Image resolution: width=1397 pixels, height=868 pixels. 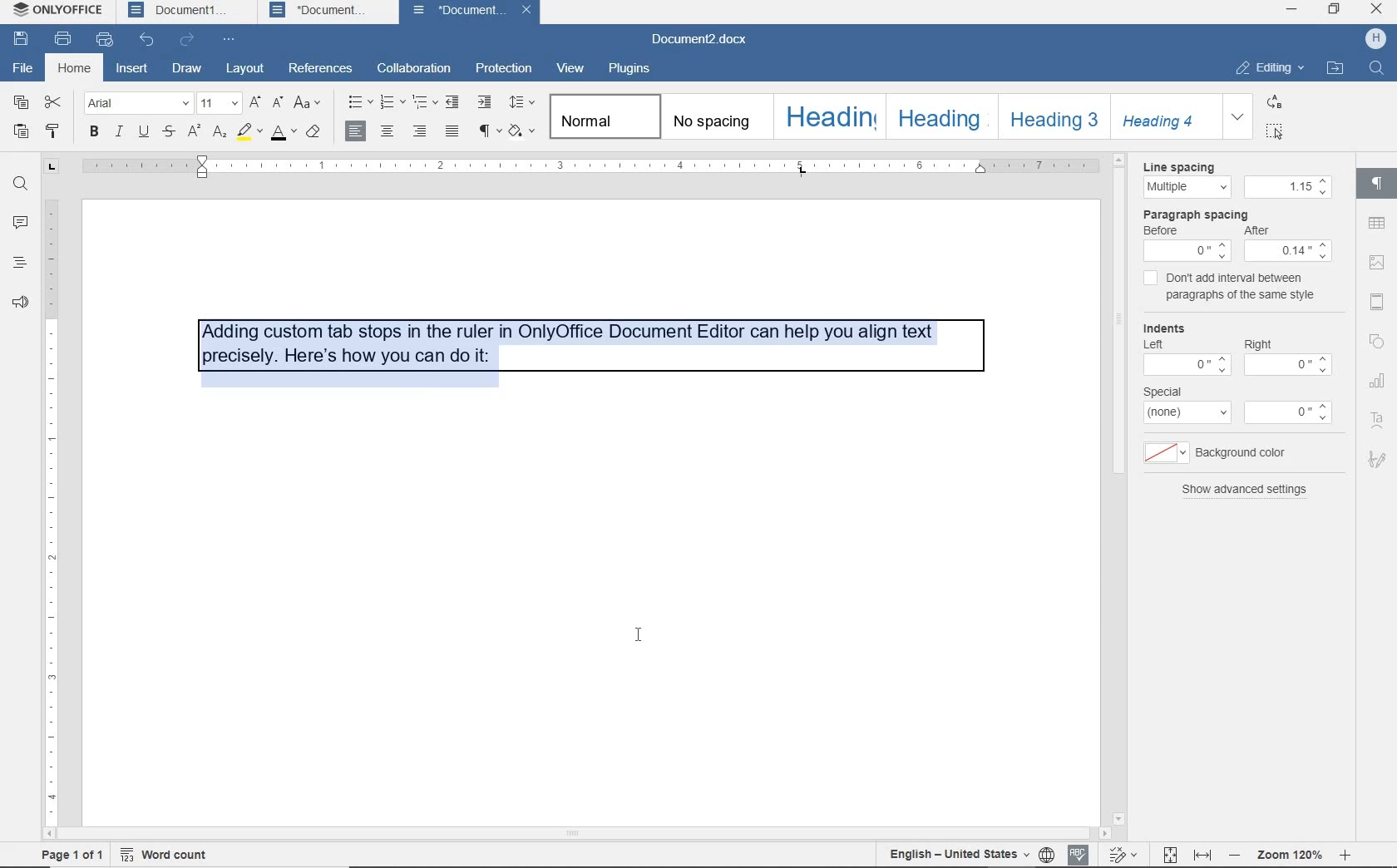 I want to click on justified, so click(x=450, y=131).